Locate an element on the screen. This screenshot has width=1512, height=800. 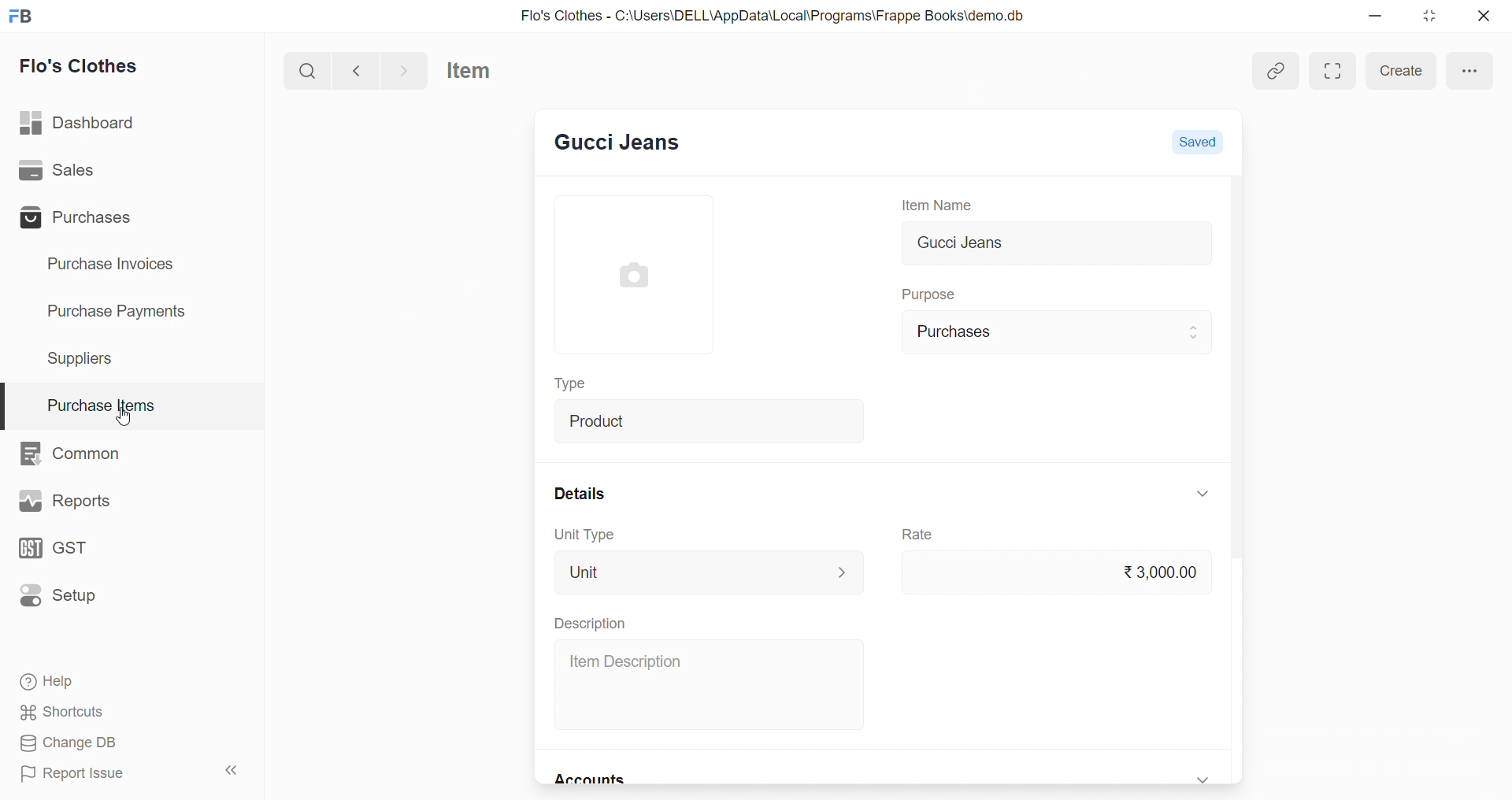
Purchases is located at coordinates (1058, 332).